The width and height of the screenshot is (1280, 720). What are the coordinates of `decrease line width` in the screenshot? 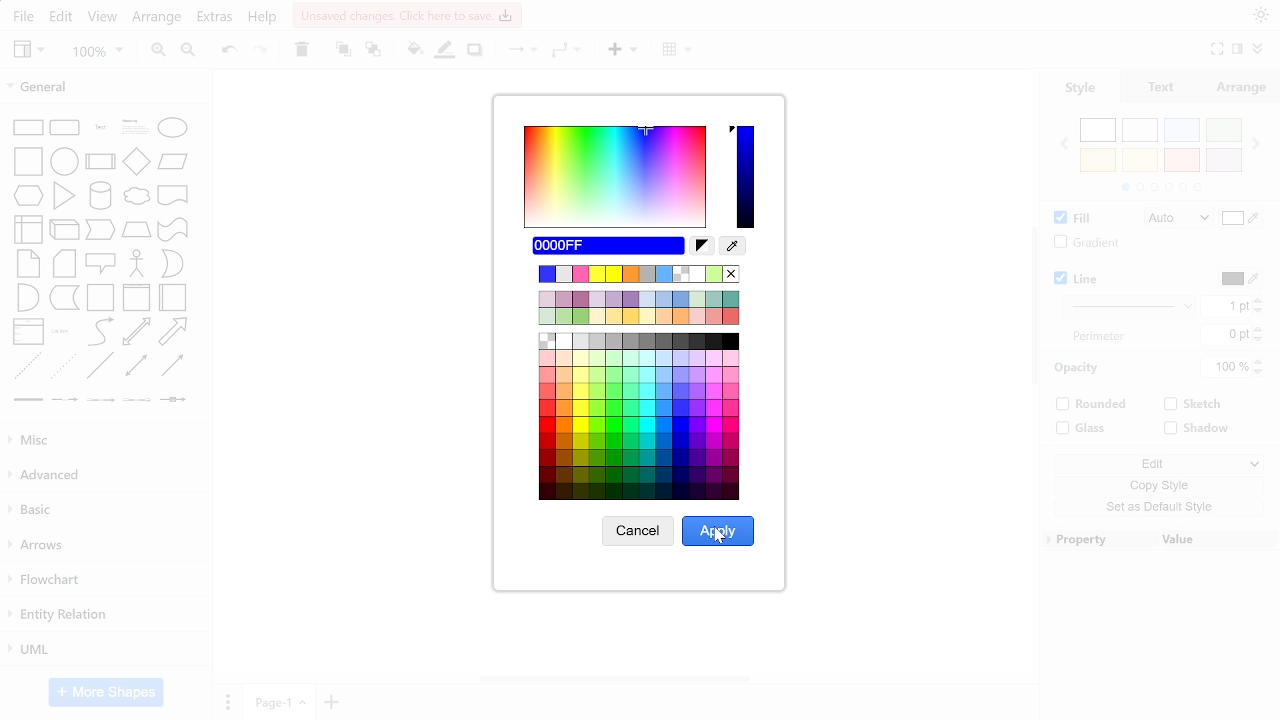 It's located at (1259, 311).